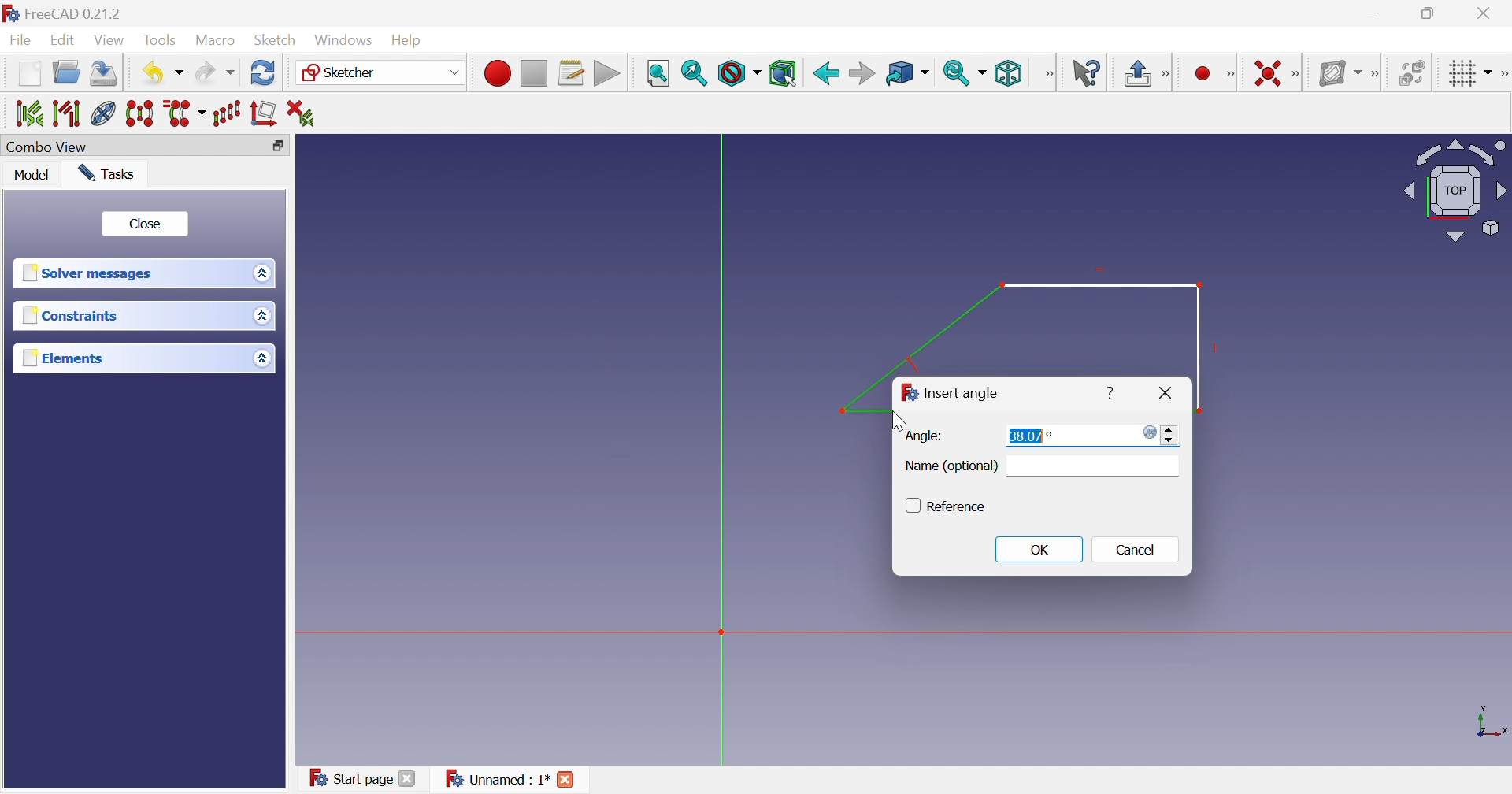 The height and width of the screenshot is (794, 1512). What do you see at coordinates (1175, 72) in the screenshot?
I see `constraint point onto object` at bounding box center [1175, 72].